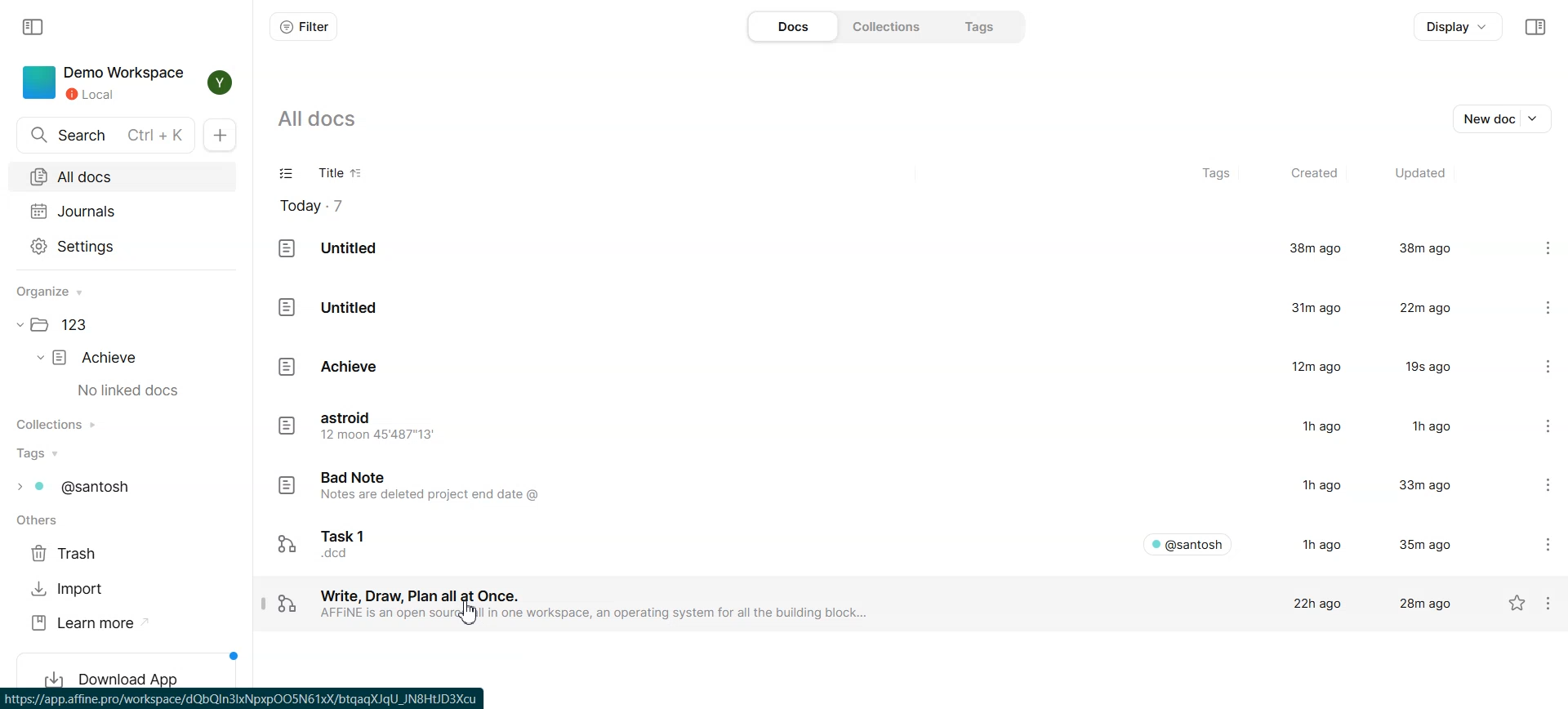 This screenshot has width=1568, height=709. I want to click on Doc file, so click(877, 427).